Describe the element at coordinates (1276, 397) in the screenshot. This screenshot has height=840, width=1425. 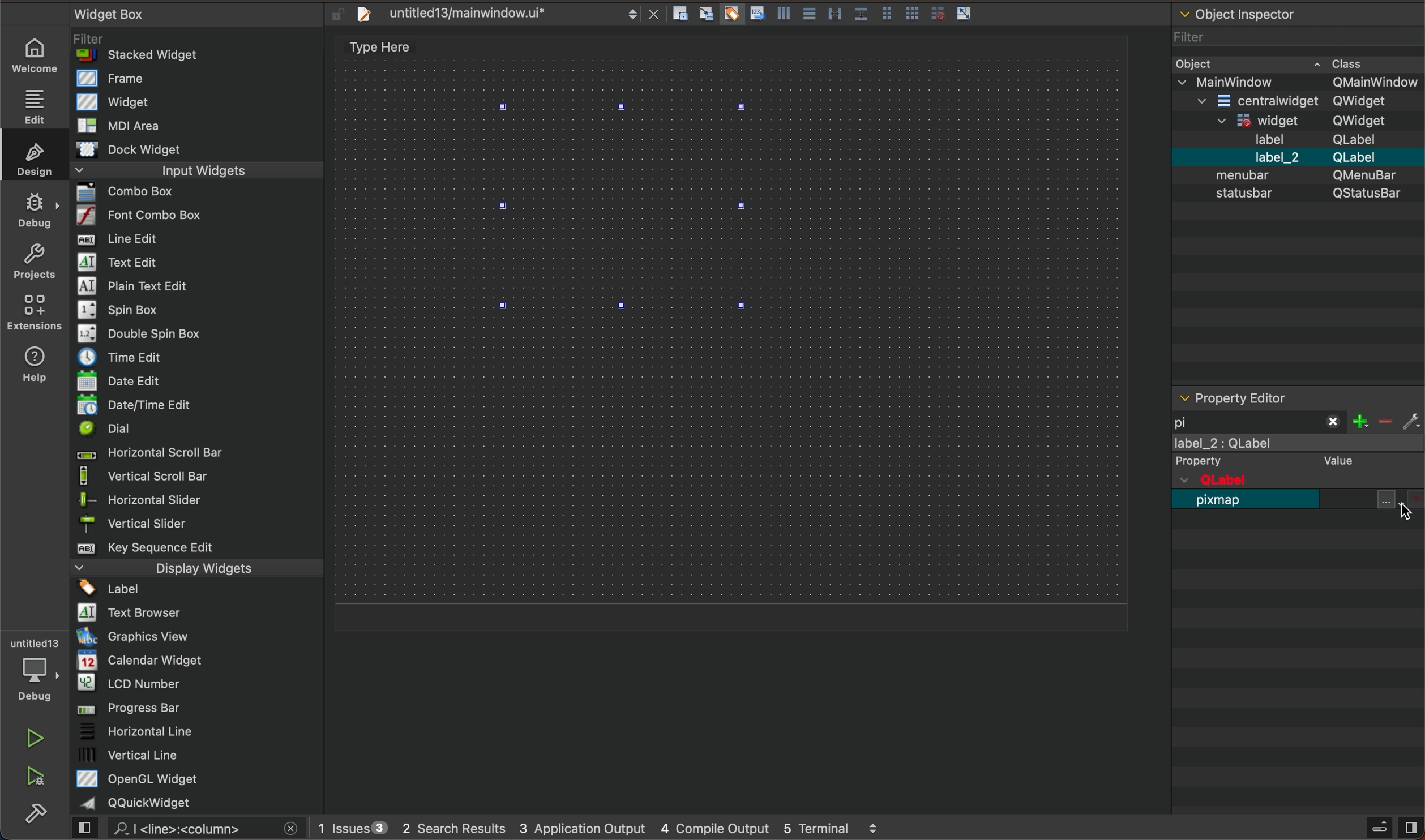
I see `property editor` at that location.